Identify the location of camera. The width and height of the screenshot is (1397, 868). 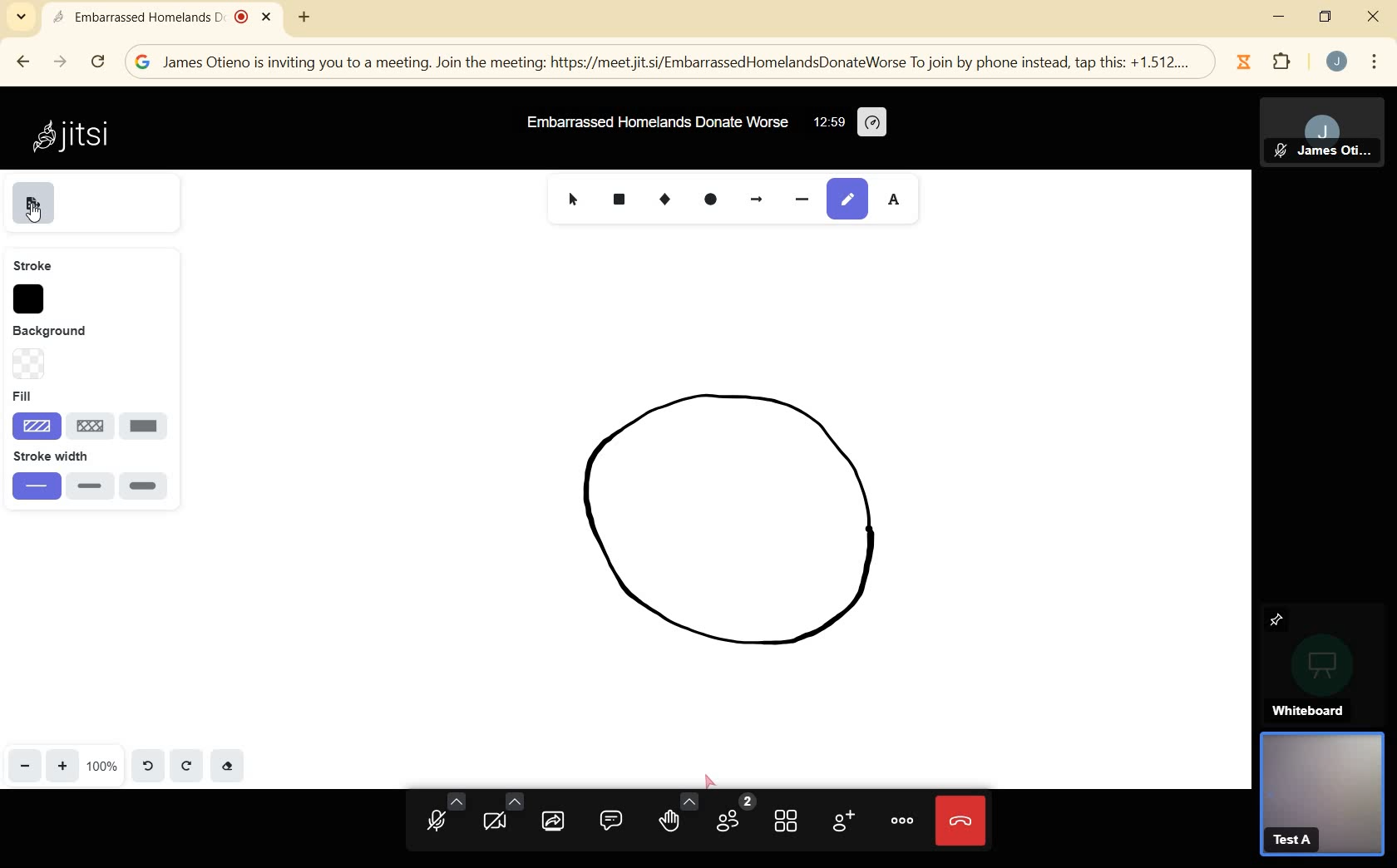
(501, 814).